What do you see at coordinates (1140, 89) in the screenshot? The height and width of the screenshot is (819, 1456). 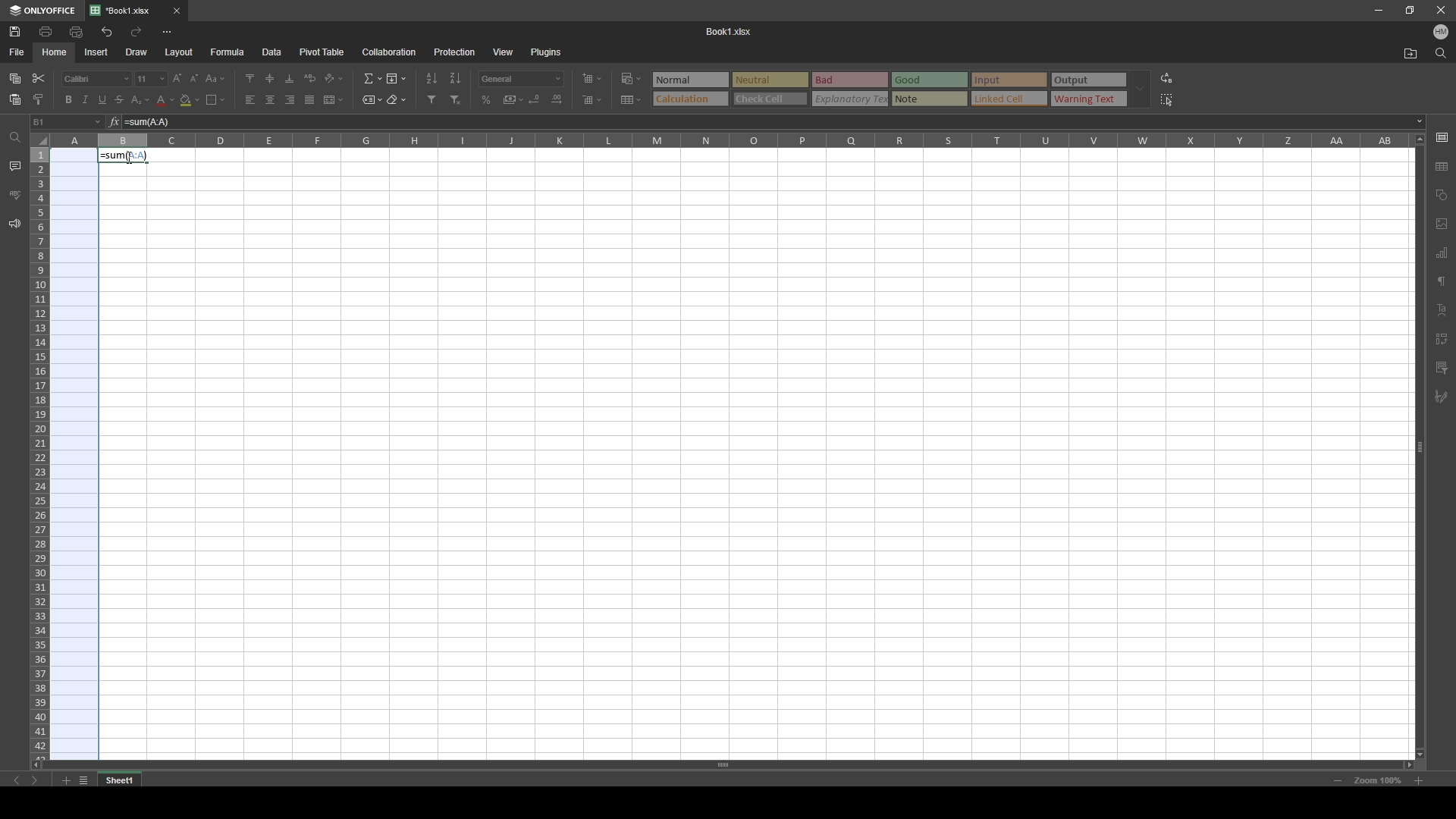 I see `expand` at bounding box center [1140, 89].